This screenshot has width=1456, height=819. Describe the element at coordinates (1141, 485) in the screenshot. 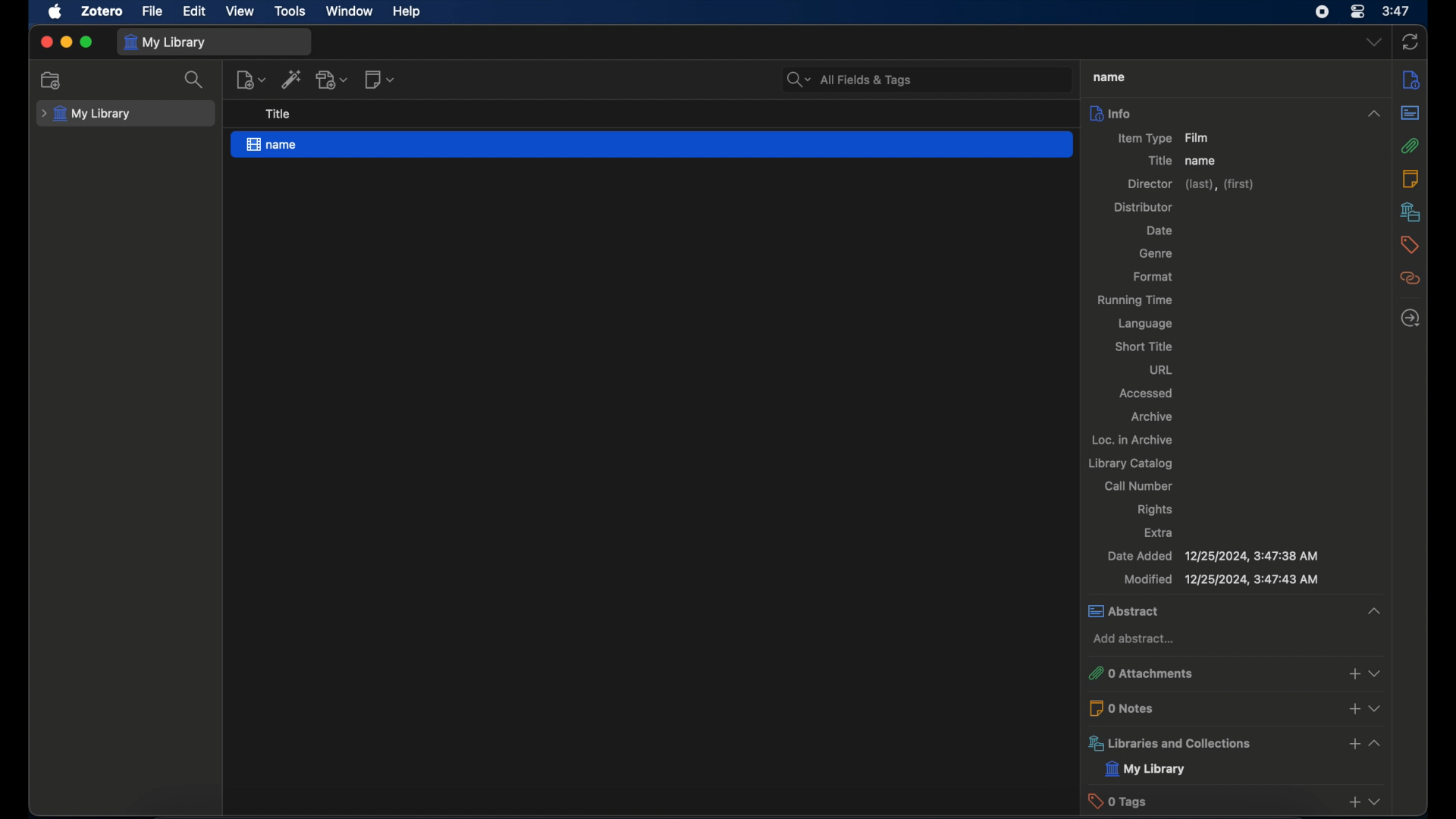

I see `call number` at that location.